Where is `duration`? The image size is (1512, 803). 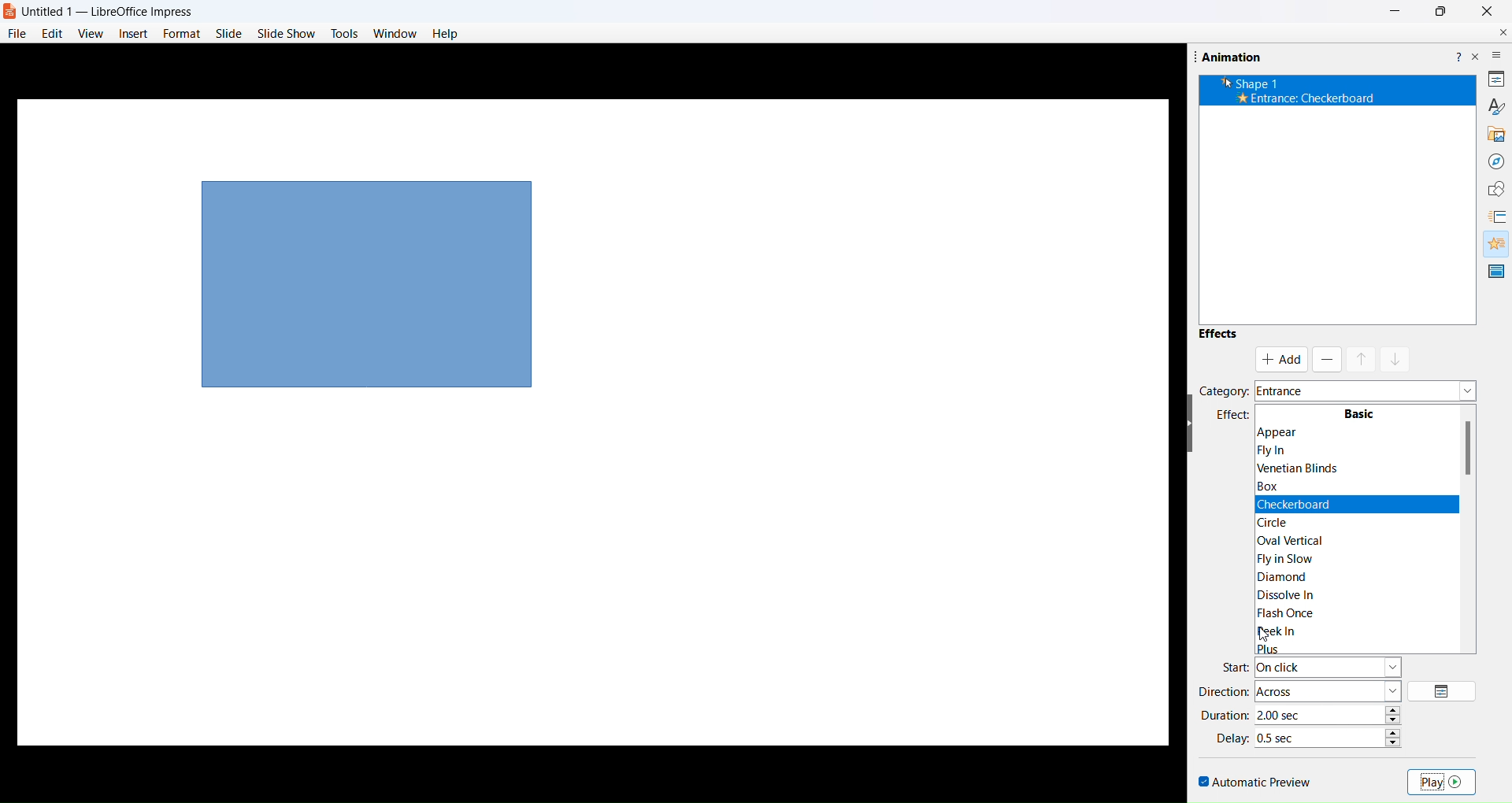 duration is located at coordinates (1228, 715).